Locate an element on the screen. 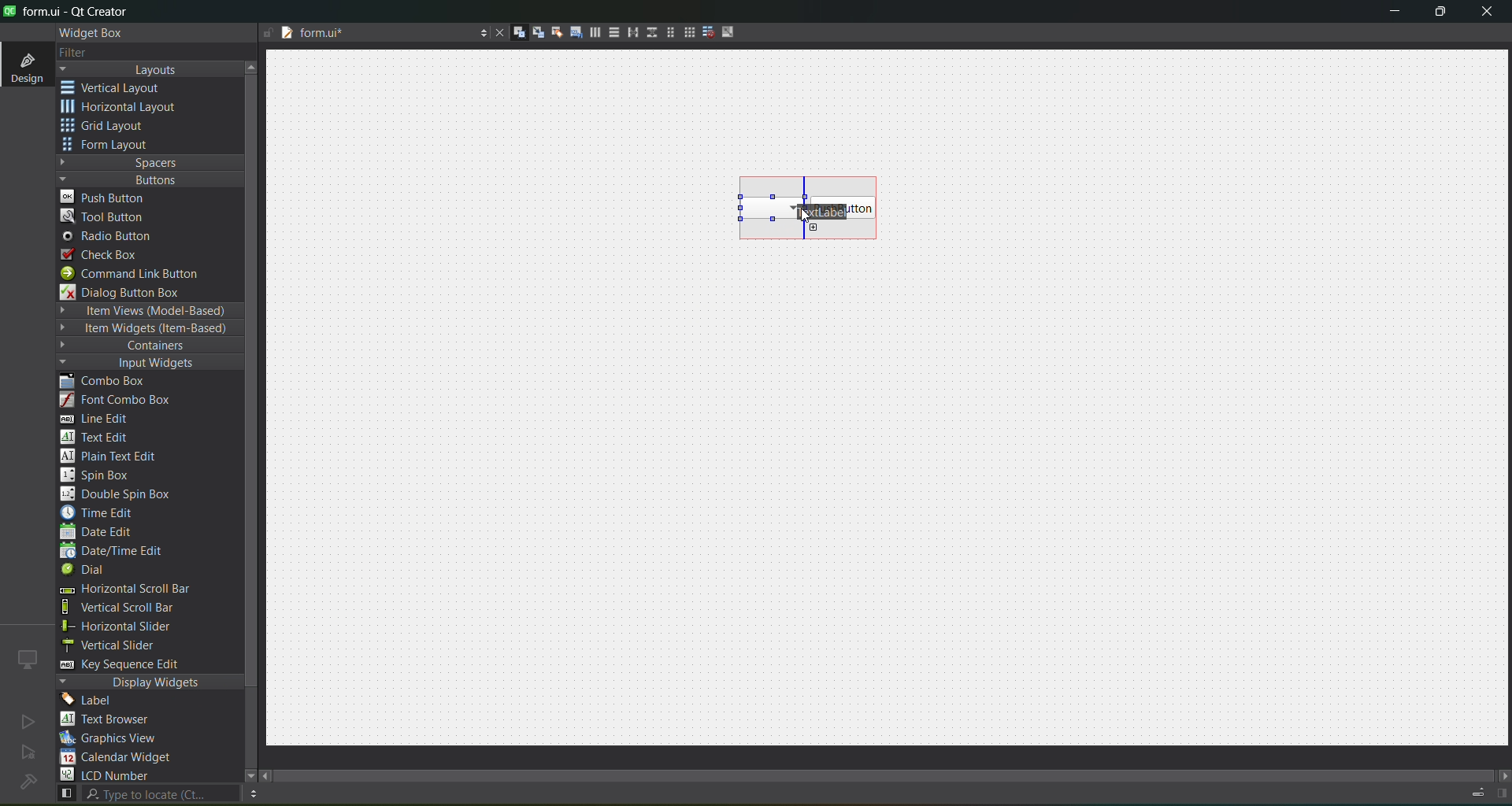 This screenshot has width=1512, height=806. break layout is located at coordinates (704, 33).